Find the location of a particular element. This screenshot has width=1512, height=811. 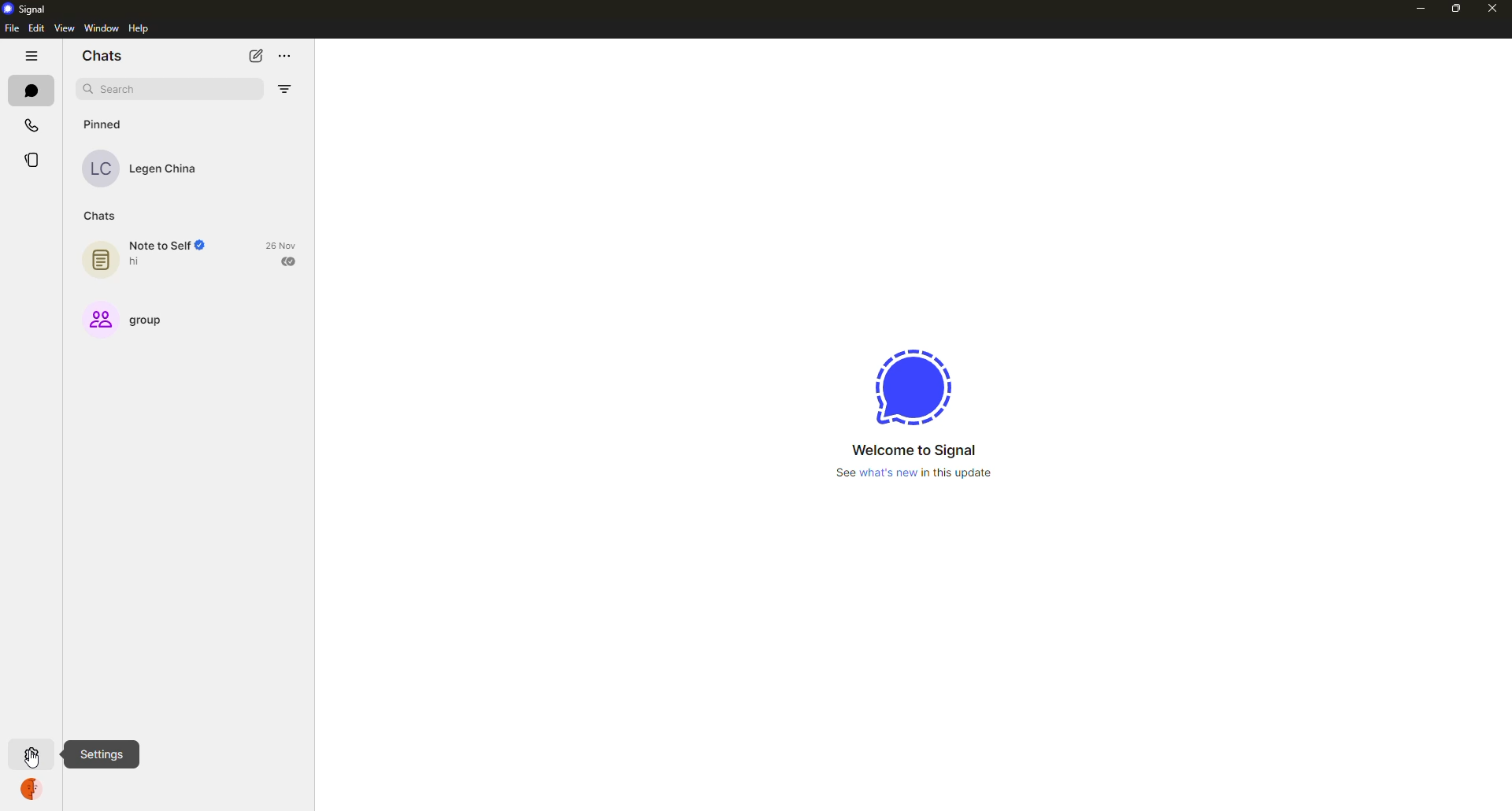

hide tabs is located at coordinates (33, 56).